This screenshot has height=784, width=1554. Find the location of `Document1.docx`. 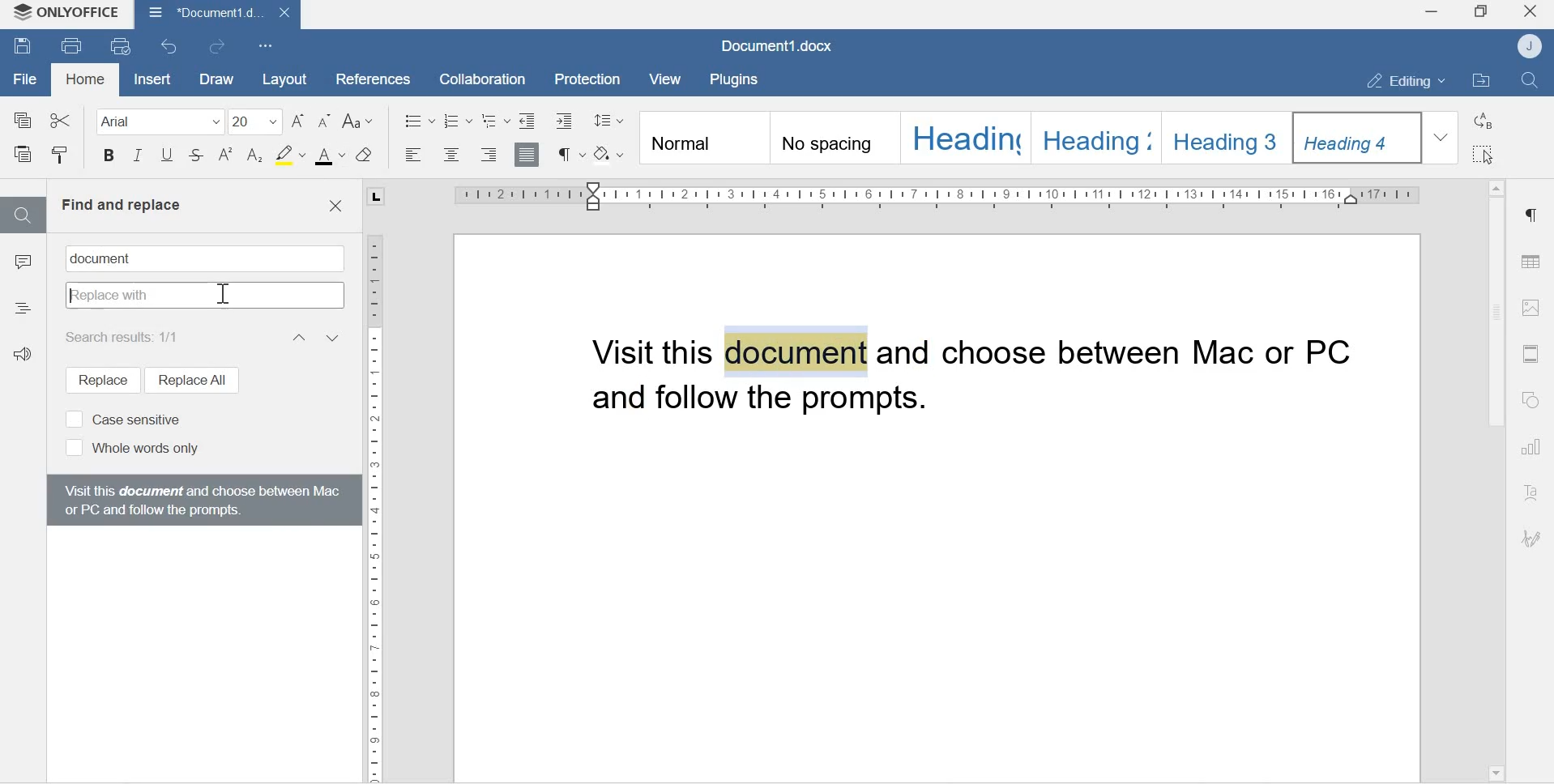

Document1.docx is located at coordinates (216, 14).